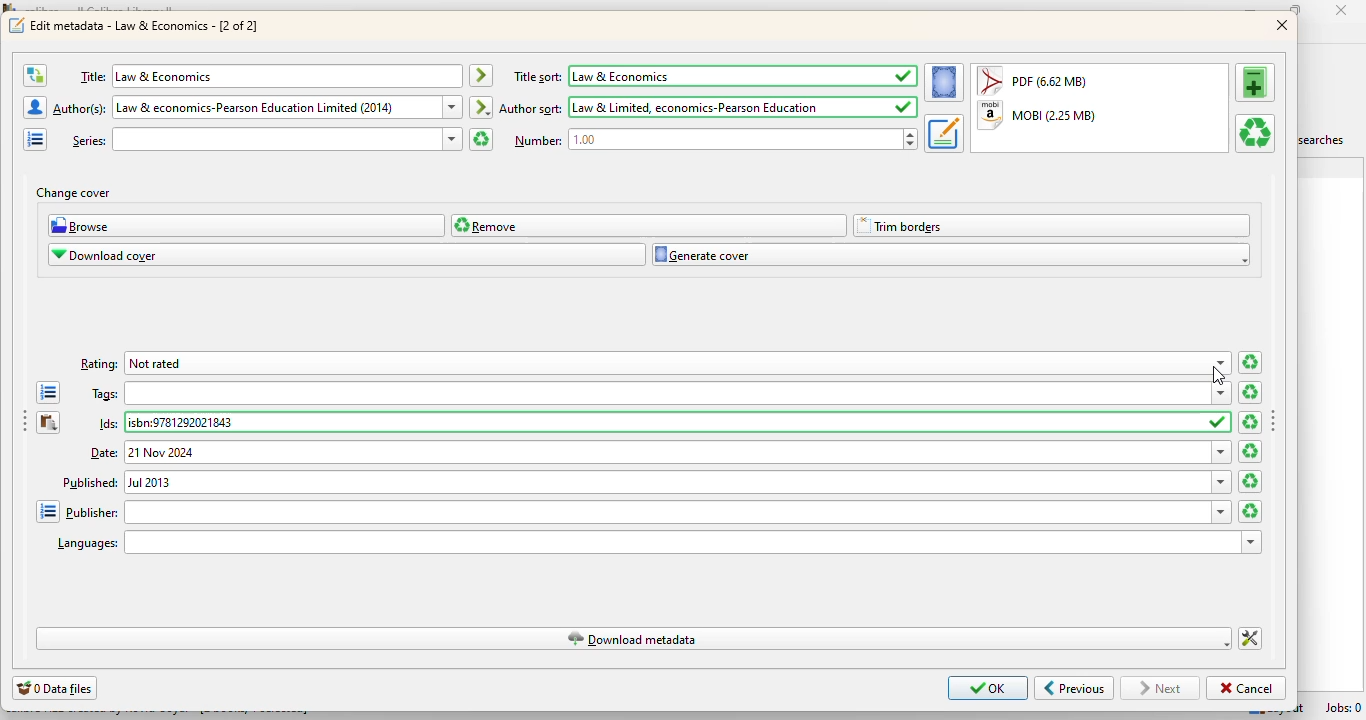 This screenshot has height=720, width=1366. Describe the element at coordinates (647, 511) in the screenshot. I see `publisher:` at that location.